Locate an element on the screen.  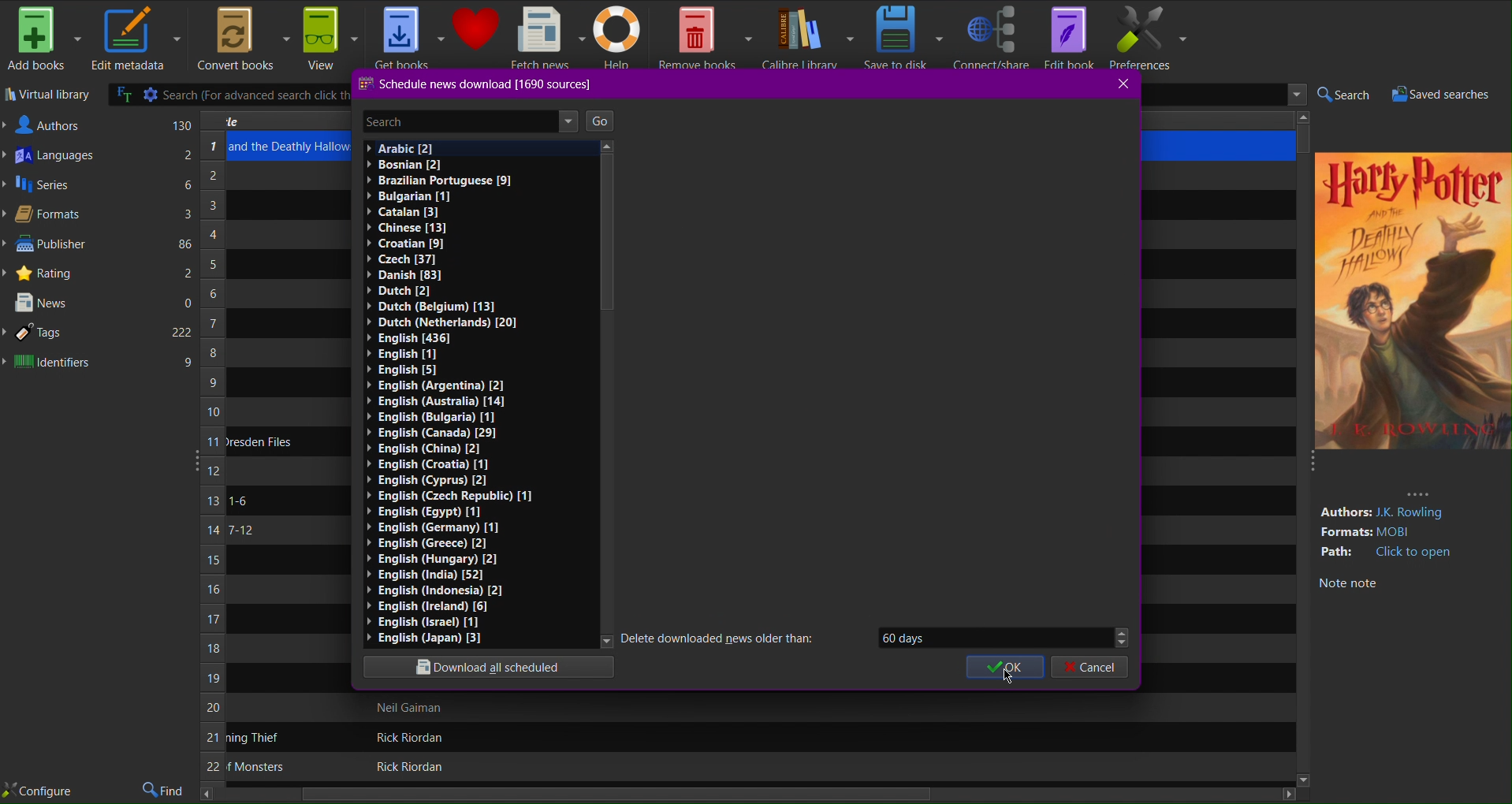
Save to disk is located at coordinates (904, 37).